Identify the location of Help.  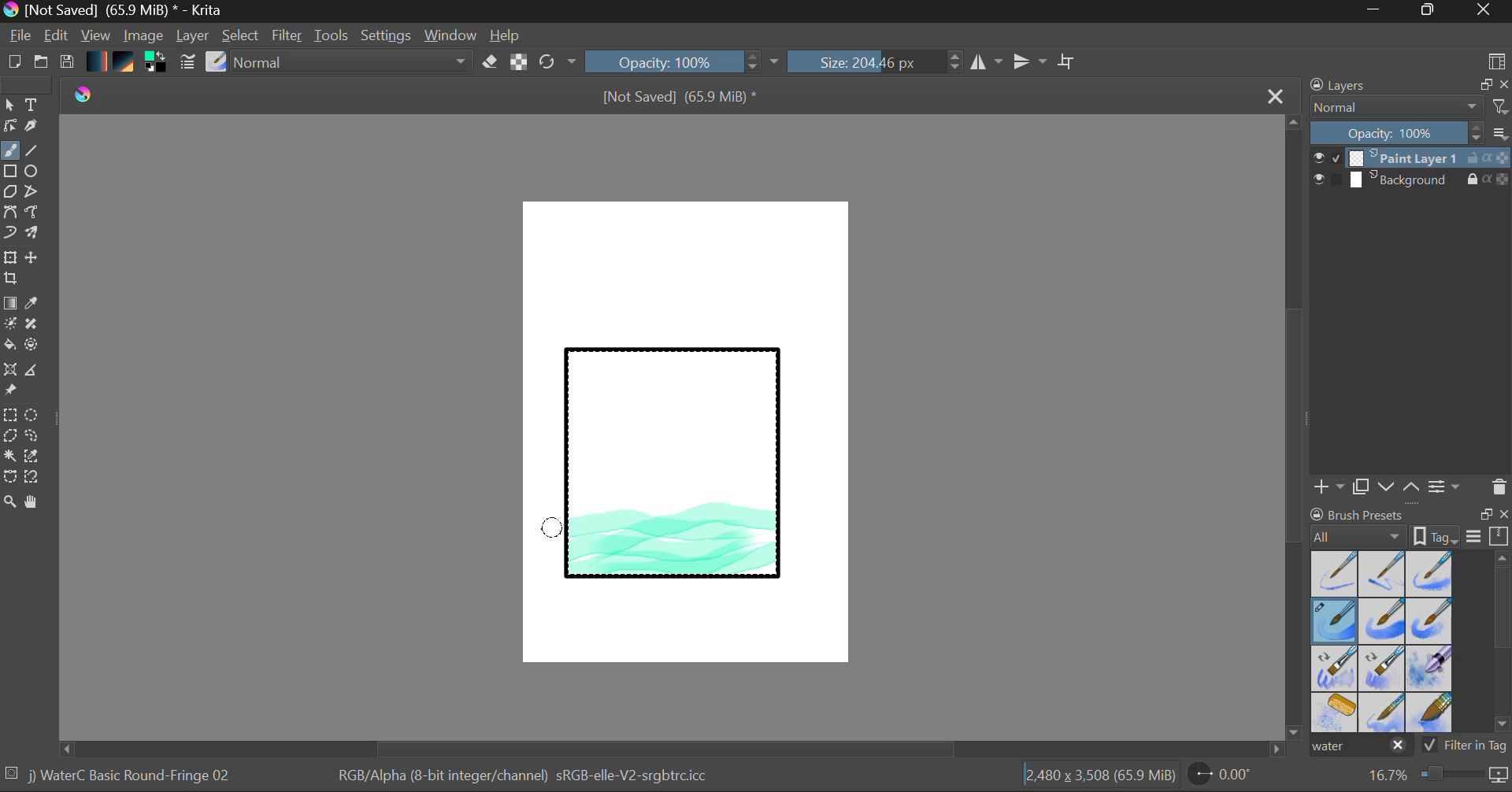
(506, 35).